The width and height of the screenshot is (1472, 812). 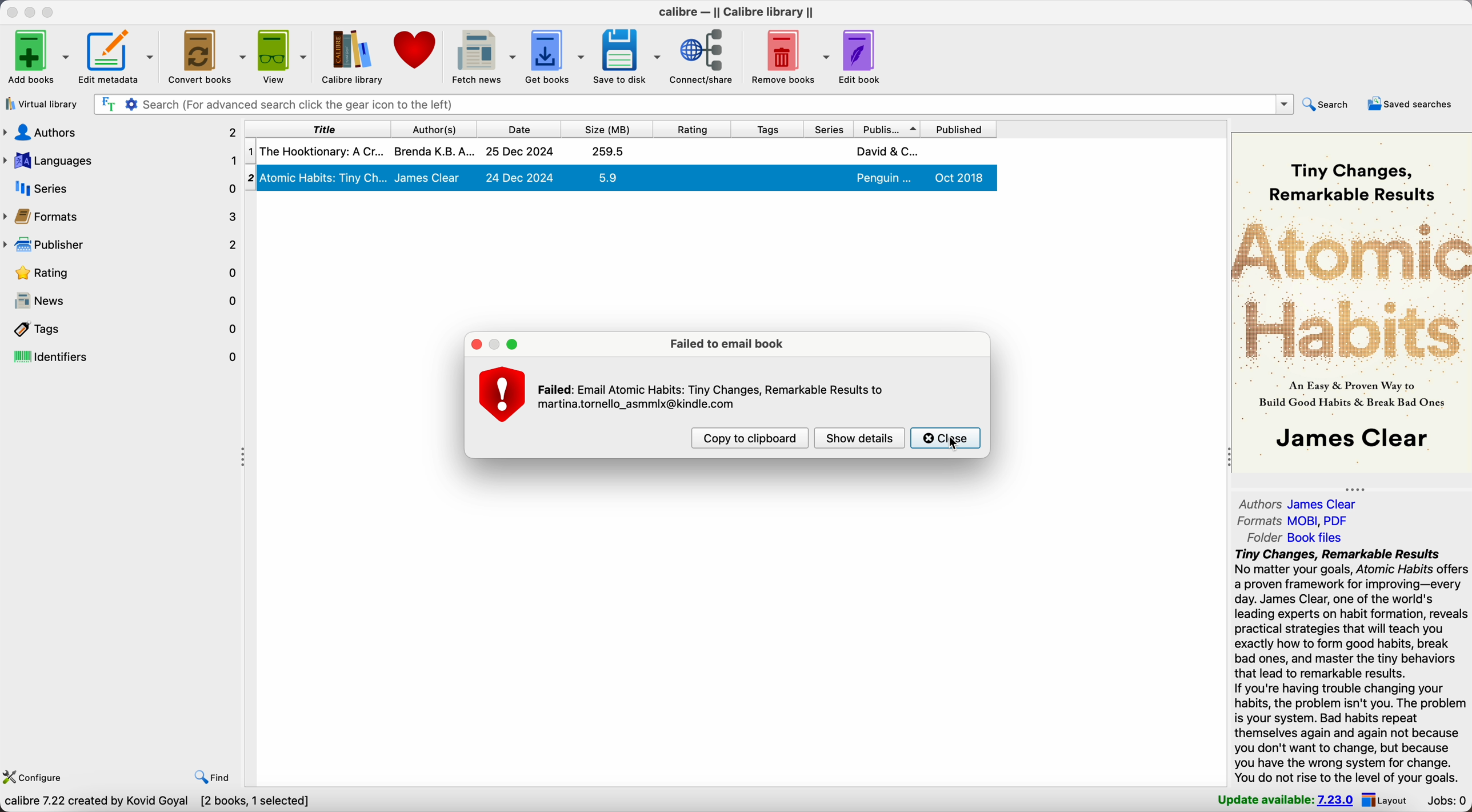 I want to click on Cursor, so click(x=955, y=443).